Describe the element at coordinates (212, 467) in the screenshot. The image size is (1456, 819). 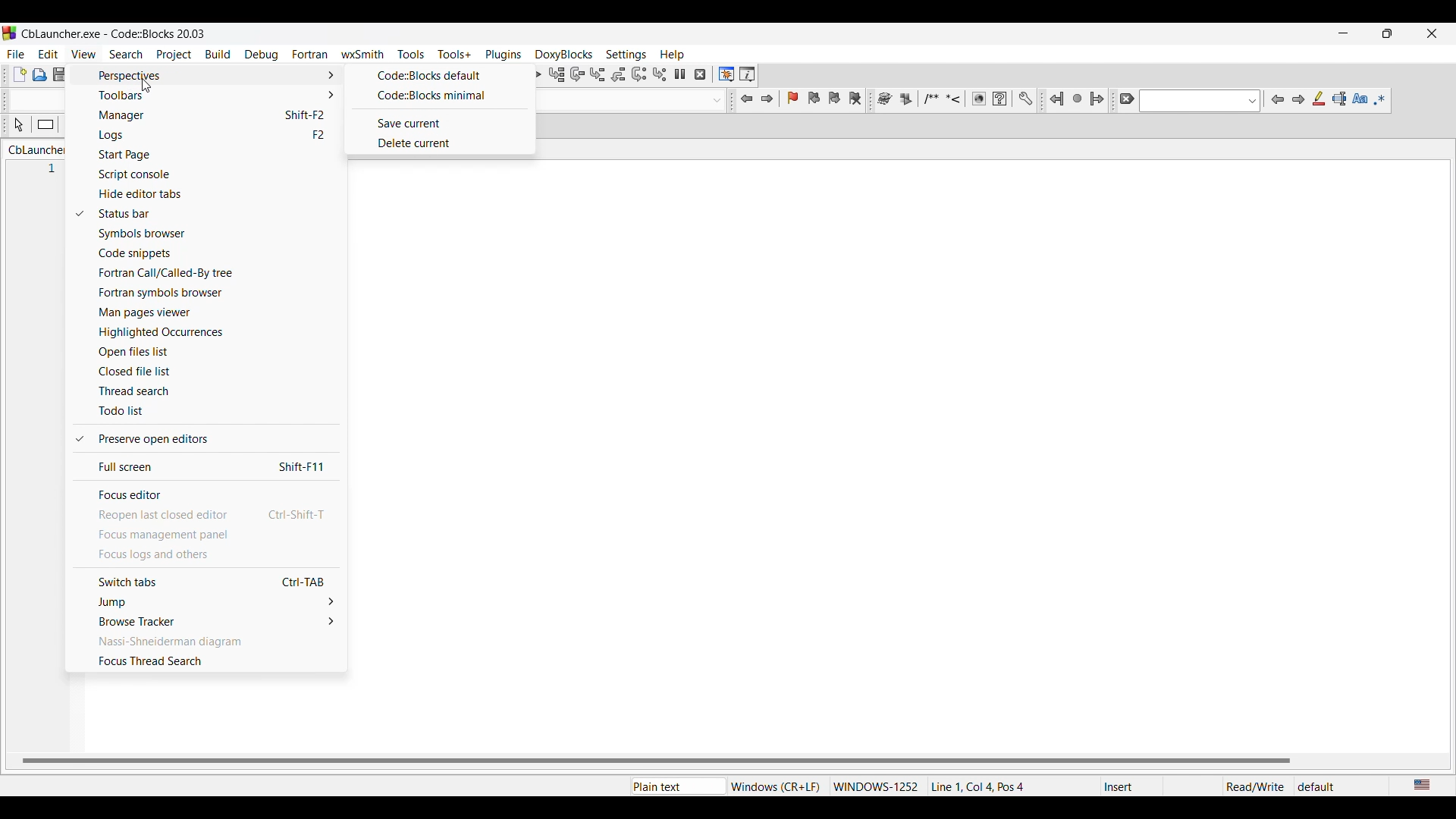
I see `Full screen` at that location.